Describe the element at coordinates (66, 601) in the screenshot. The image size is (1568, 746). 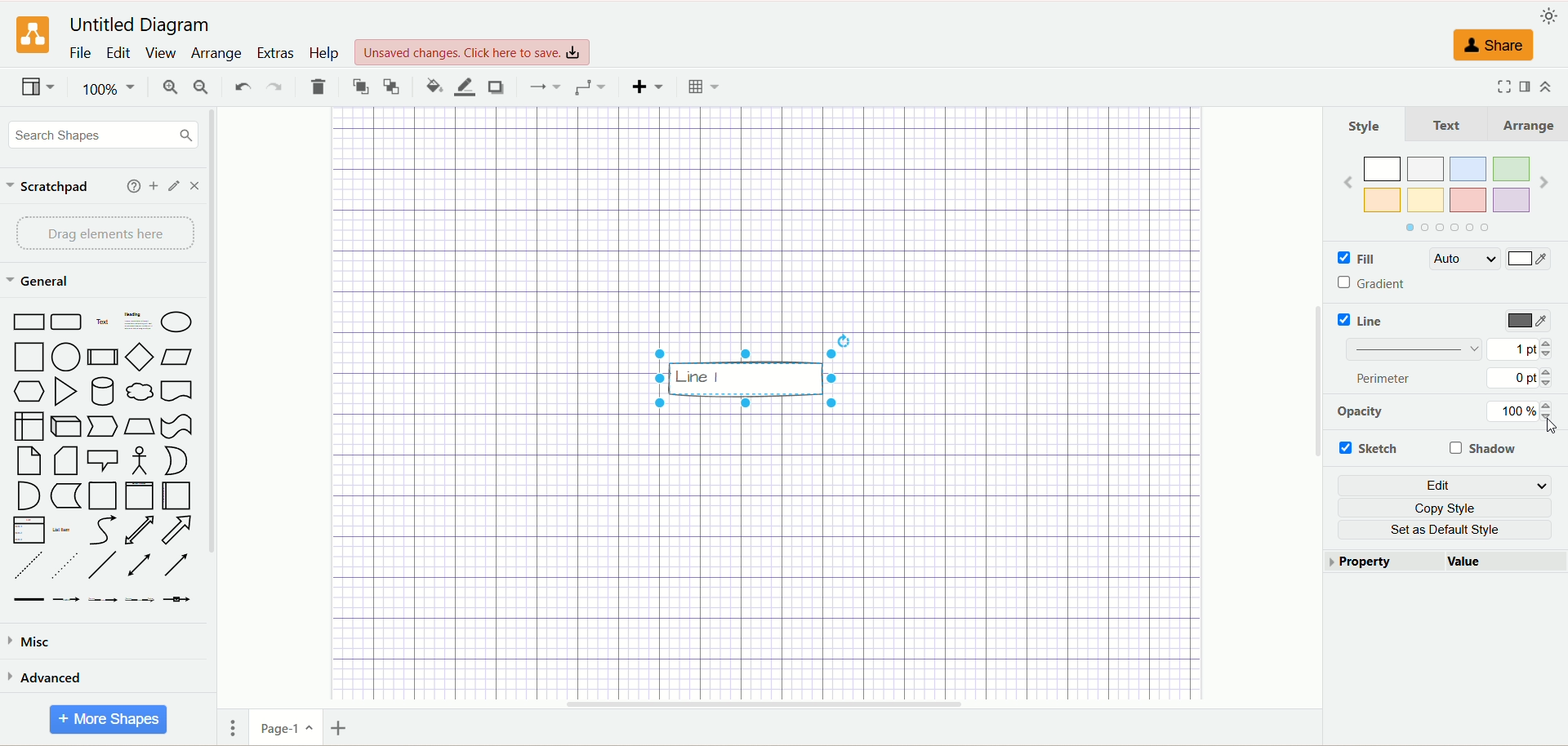
I see `Connector with label` at that location.